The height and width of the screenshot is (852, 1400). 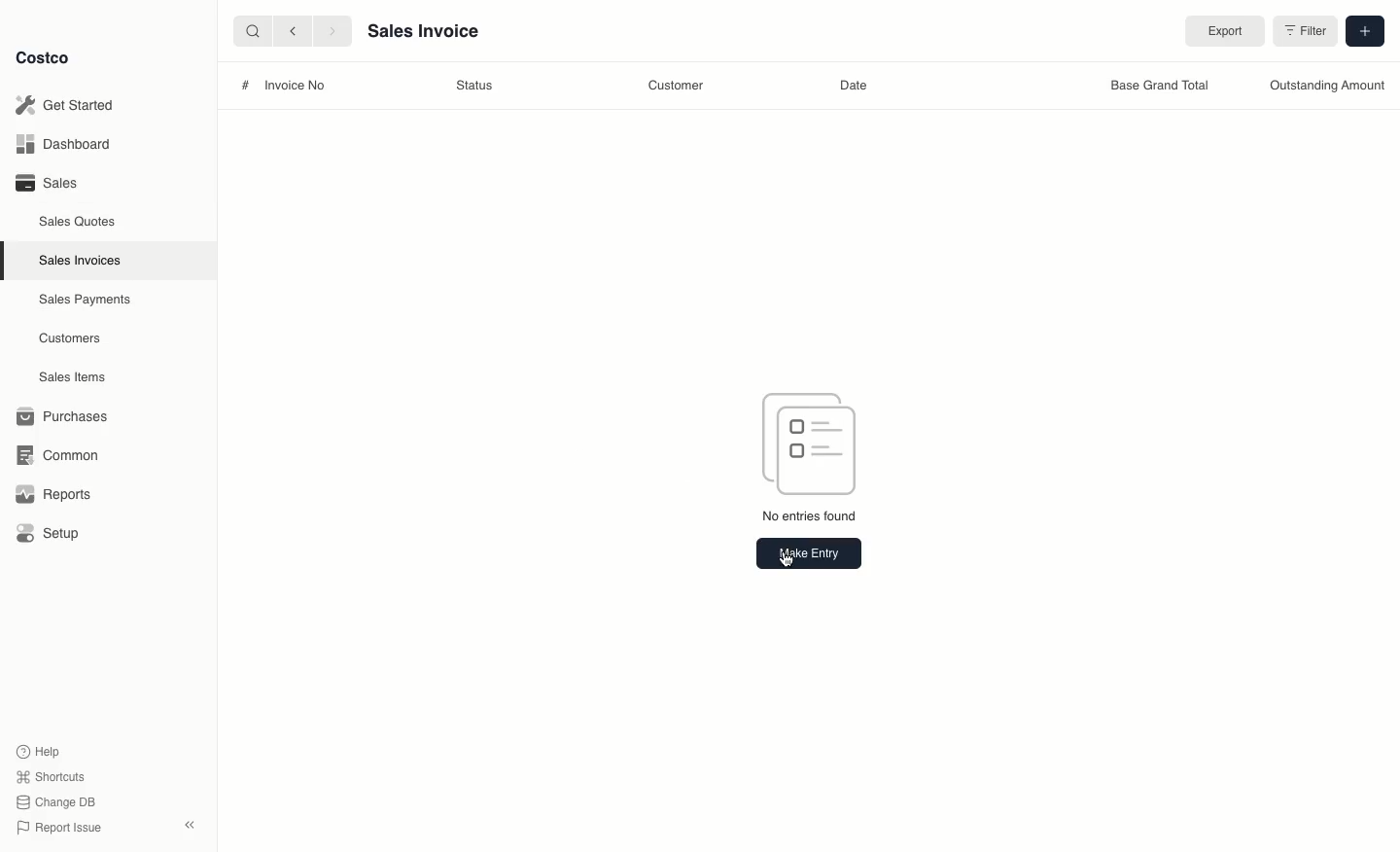 I want to click on Make Entry, so click(x=809, y=554).